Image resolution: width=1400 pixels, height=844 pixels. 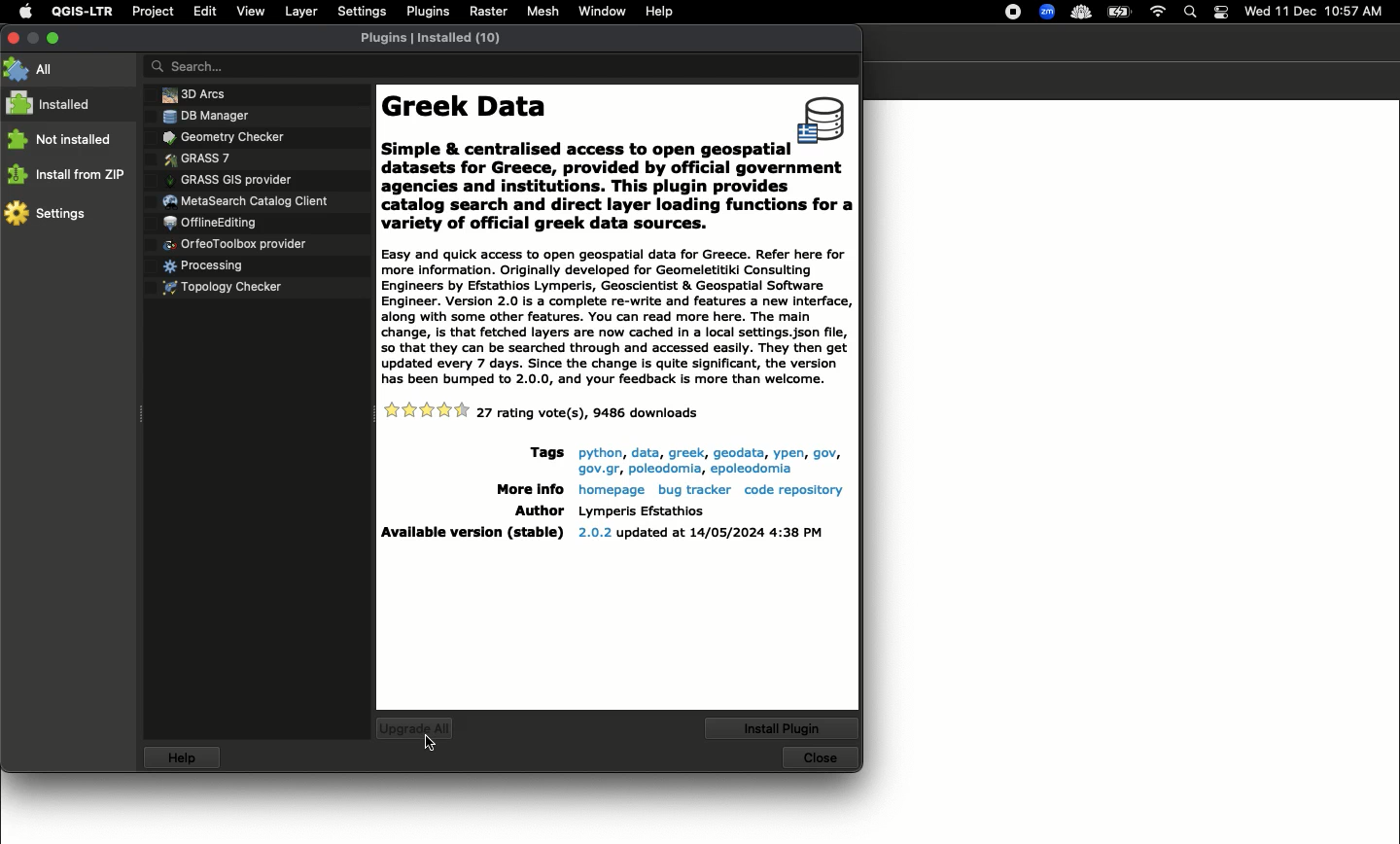 What do you see at coordinates (428, 411) in the screenshot?
I see `ratings` at bounding box center [428, 411].